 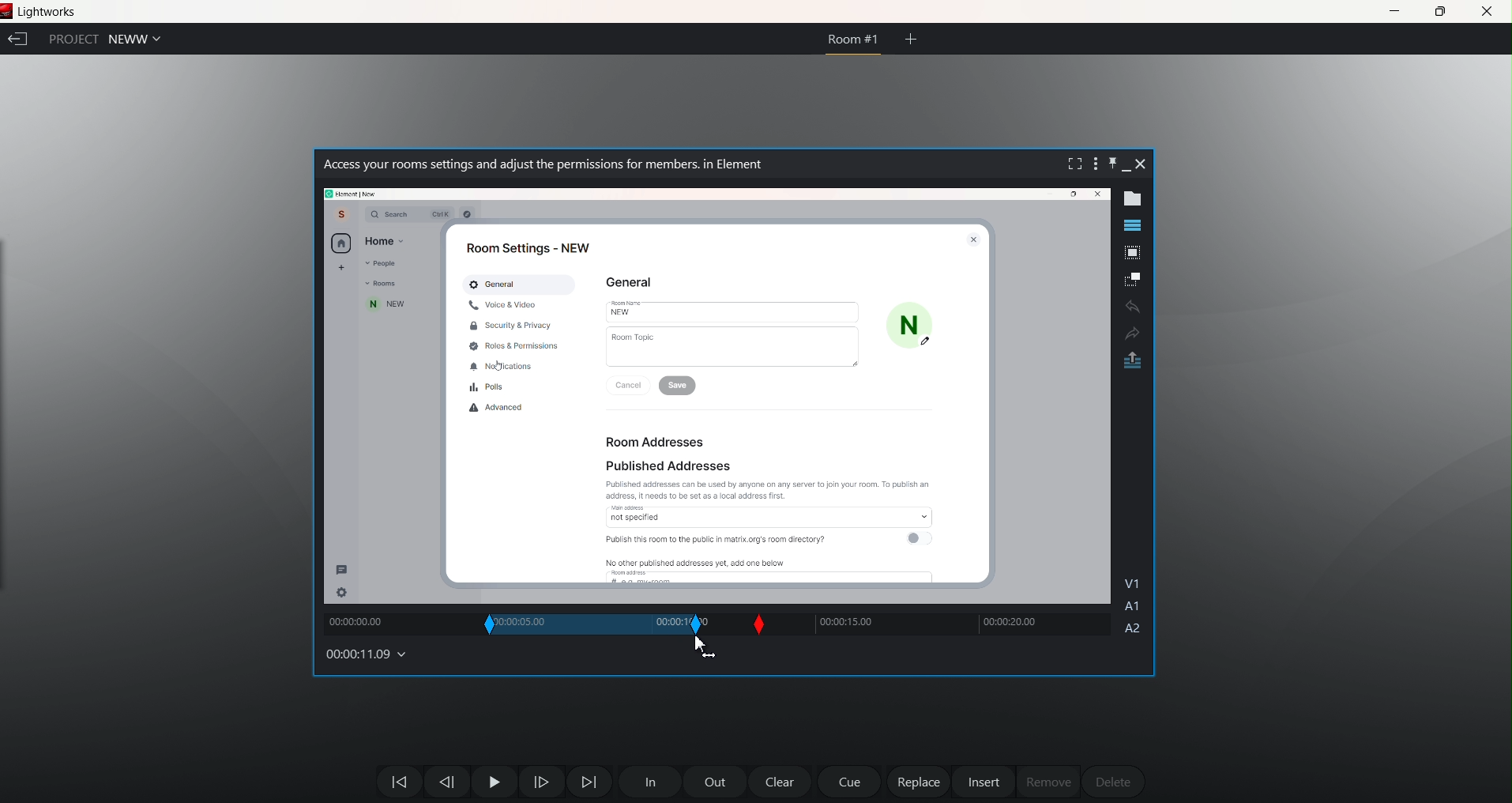 I want to click on Q Search, so click(x=386, y=214).